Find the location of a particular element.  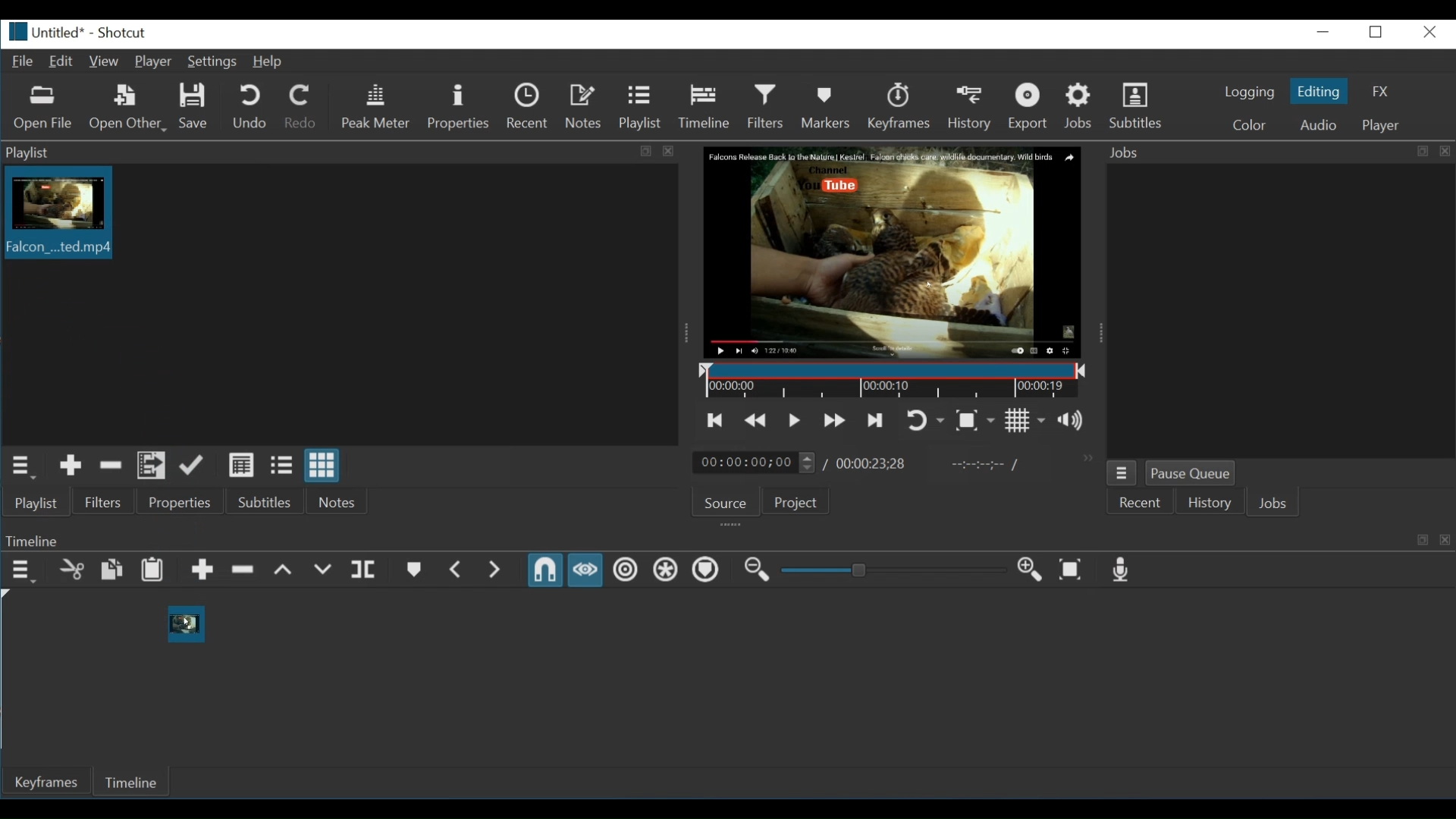

File name is located at coordinates (46, 32).